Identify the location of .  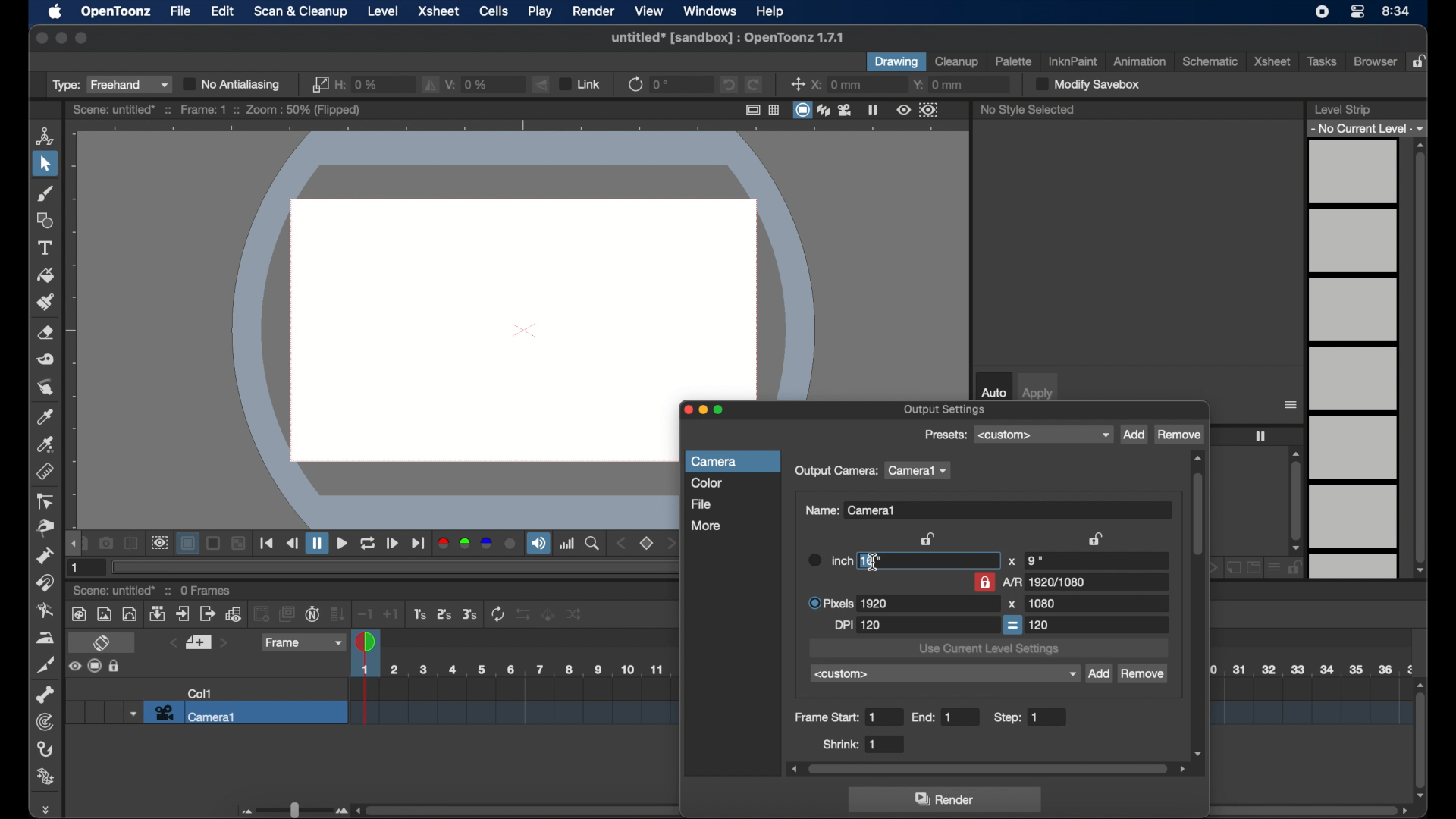
(208, 591).